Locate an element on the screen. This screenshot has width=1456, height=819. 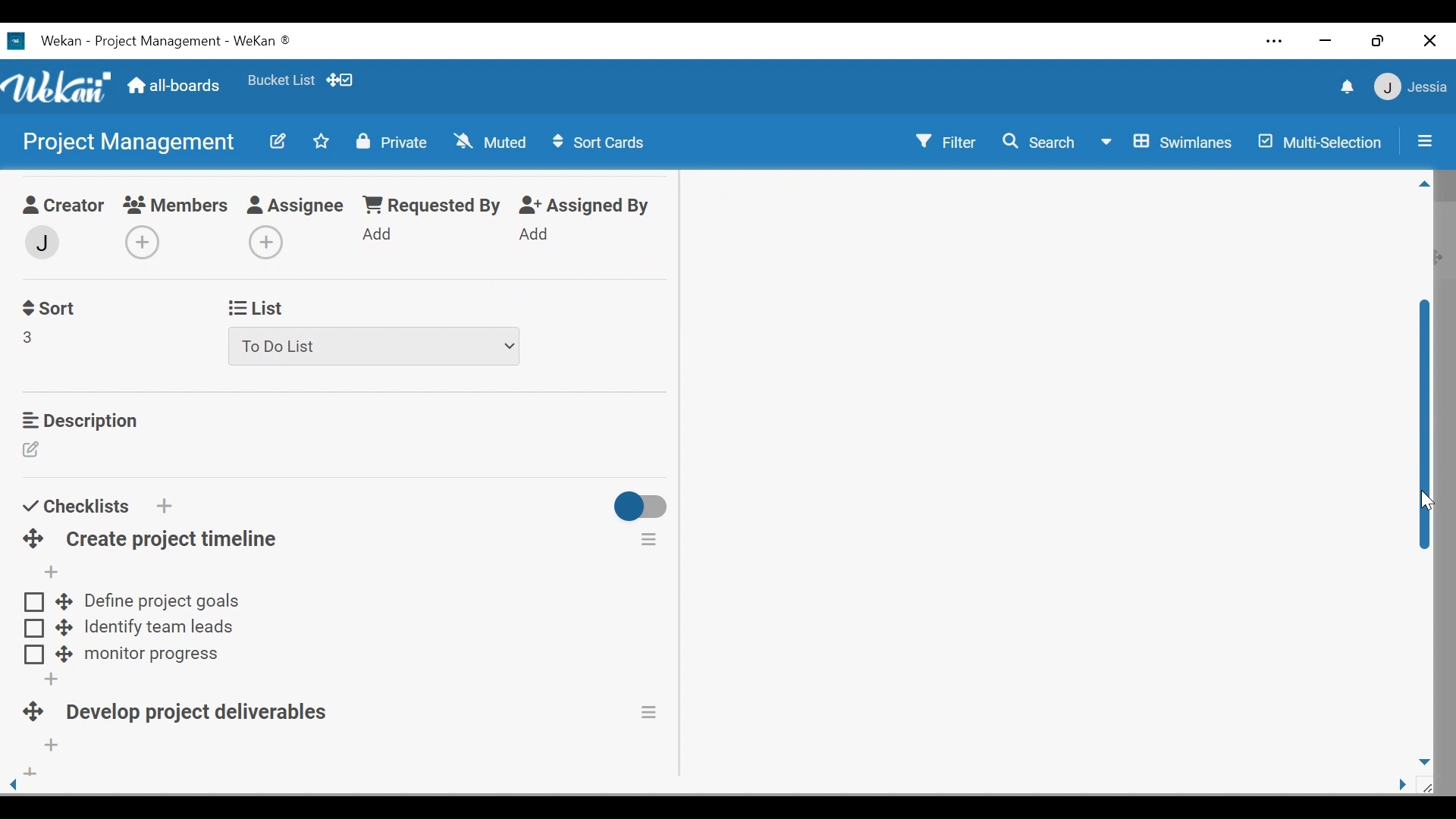
notifications is located at coordinates (1345, 86).